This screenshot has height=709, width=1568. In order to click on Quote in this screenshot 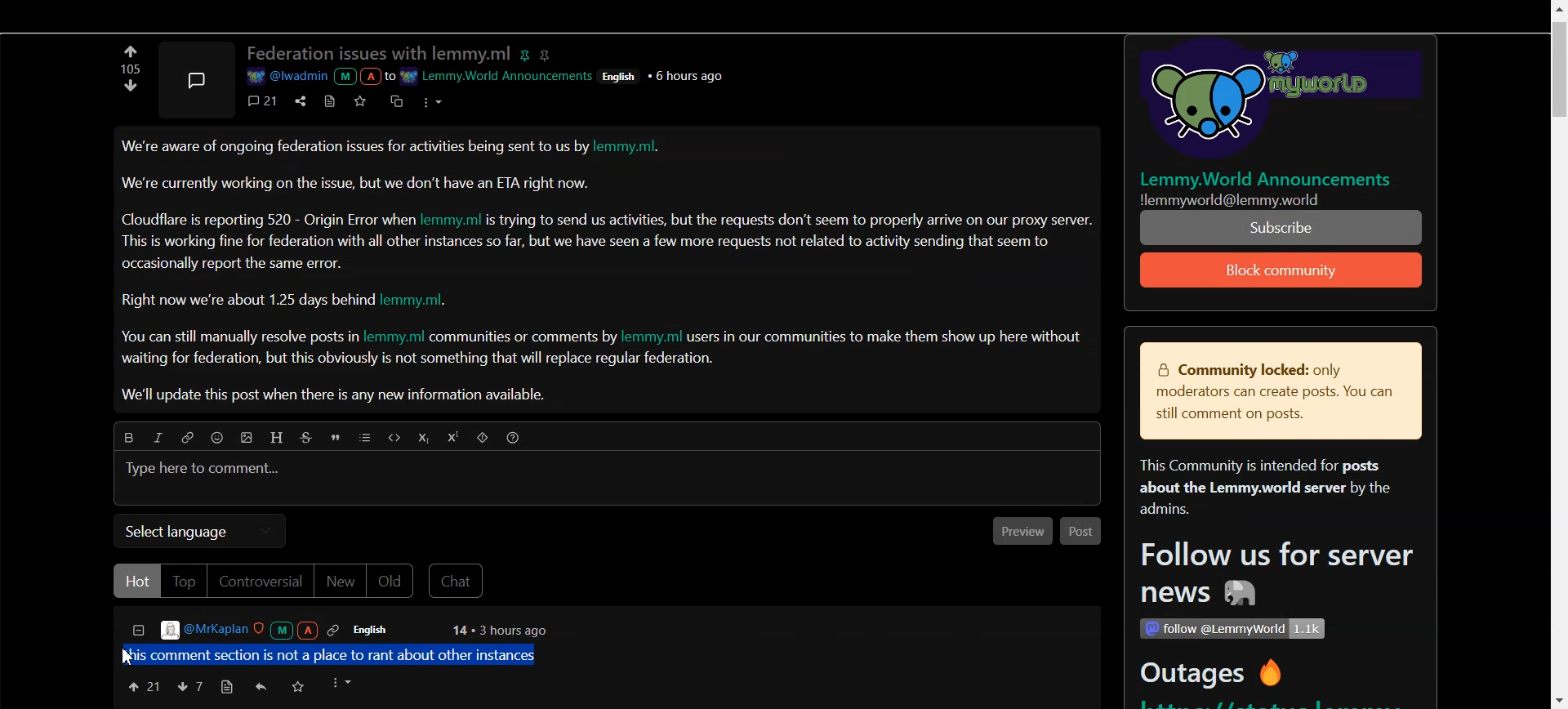, I will do `click(338, 439)`.